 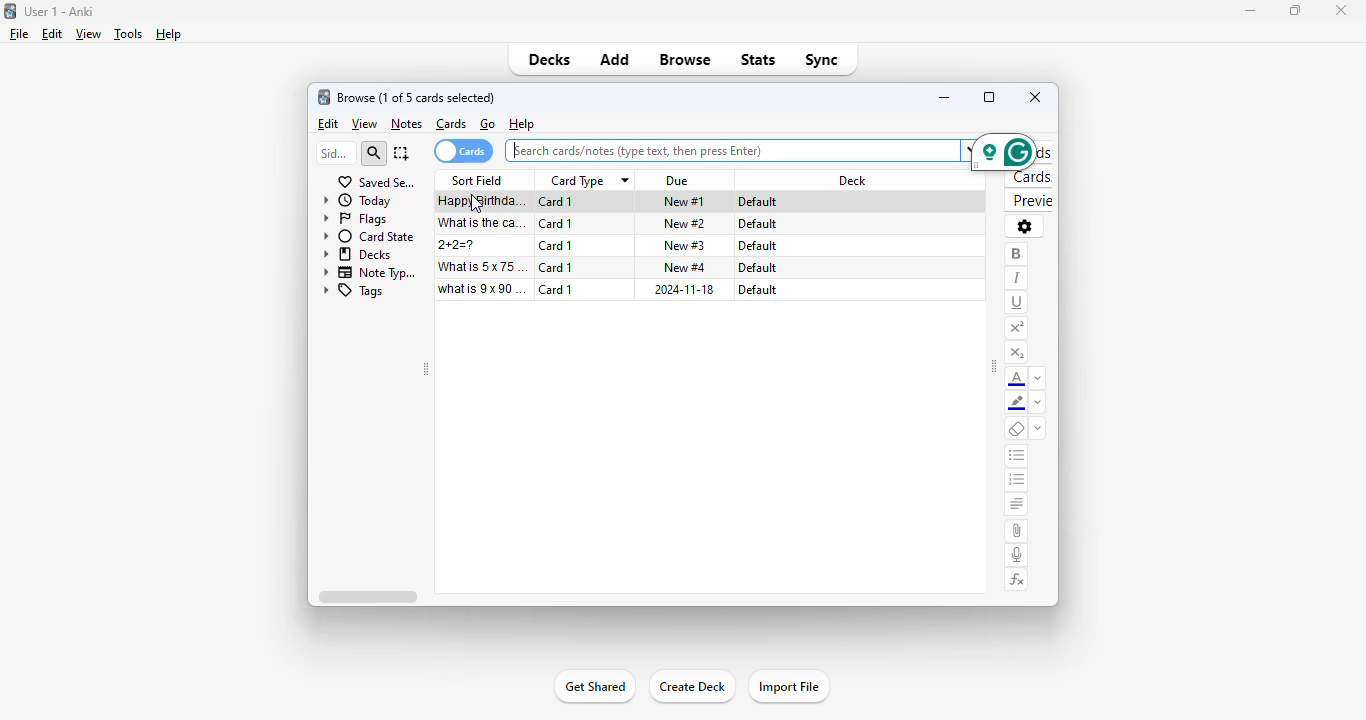 What do you see at coordinates (168, 34) in the screenshot?
I see `help` at bounding box center [168, 34].